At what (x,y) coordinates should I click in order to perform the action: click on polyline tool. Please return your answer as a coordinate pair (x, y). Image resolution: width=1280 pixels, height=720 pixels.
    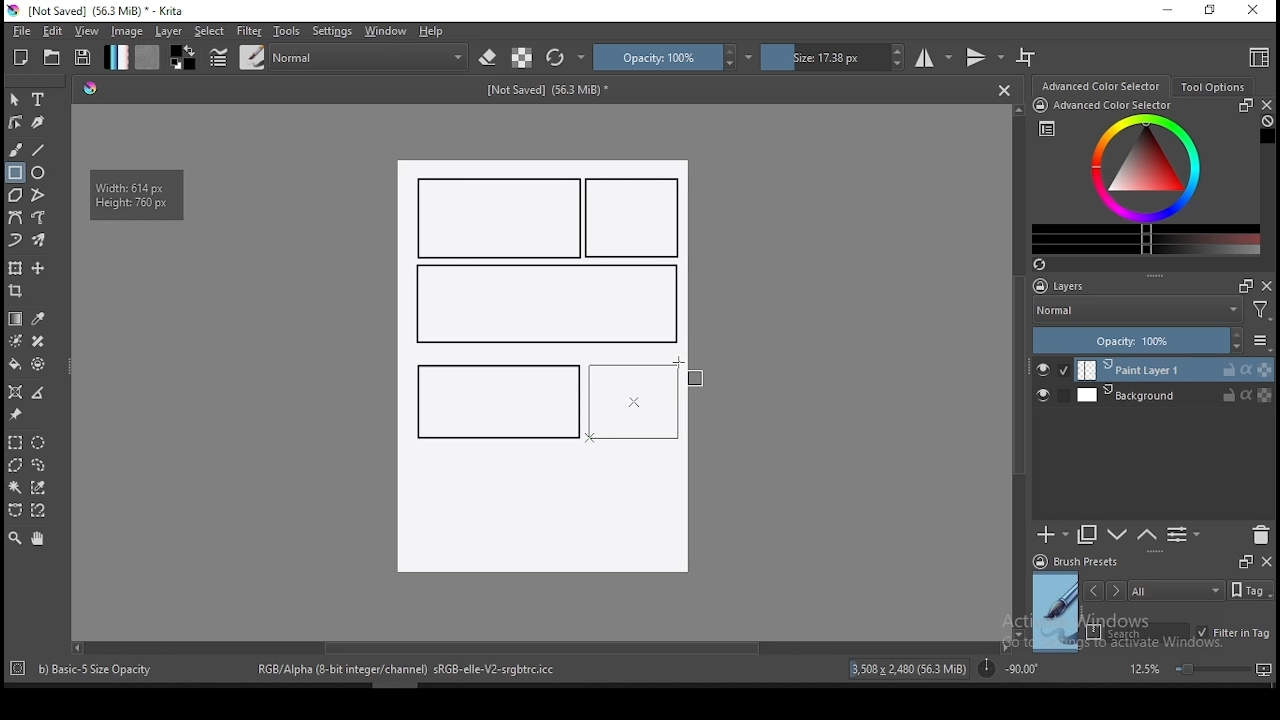
    Looking at the image, I should click on (38, 193).